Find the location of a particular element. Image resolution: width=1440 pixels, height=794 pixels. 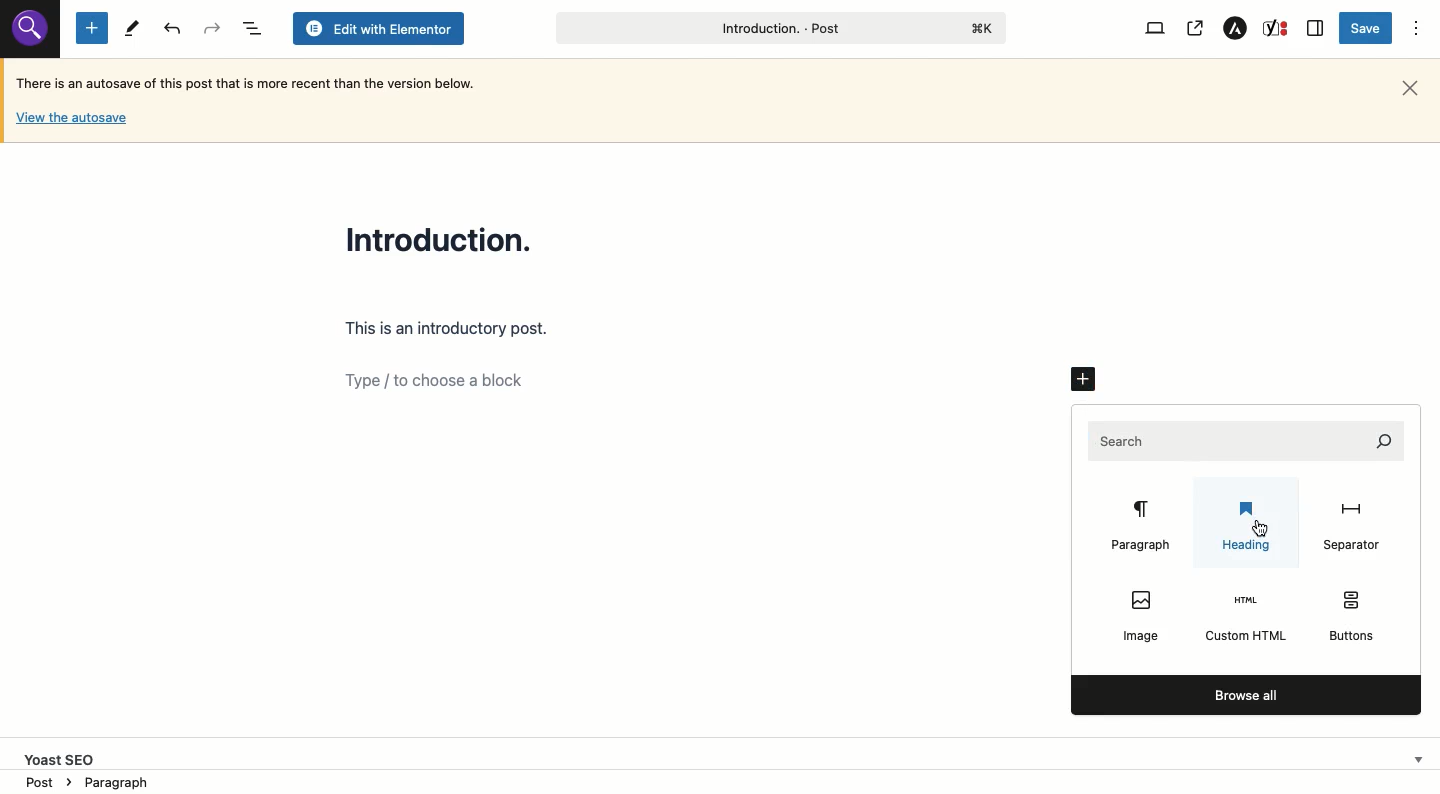

Autosave text is located at coordinates (252, 82).